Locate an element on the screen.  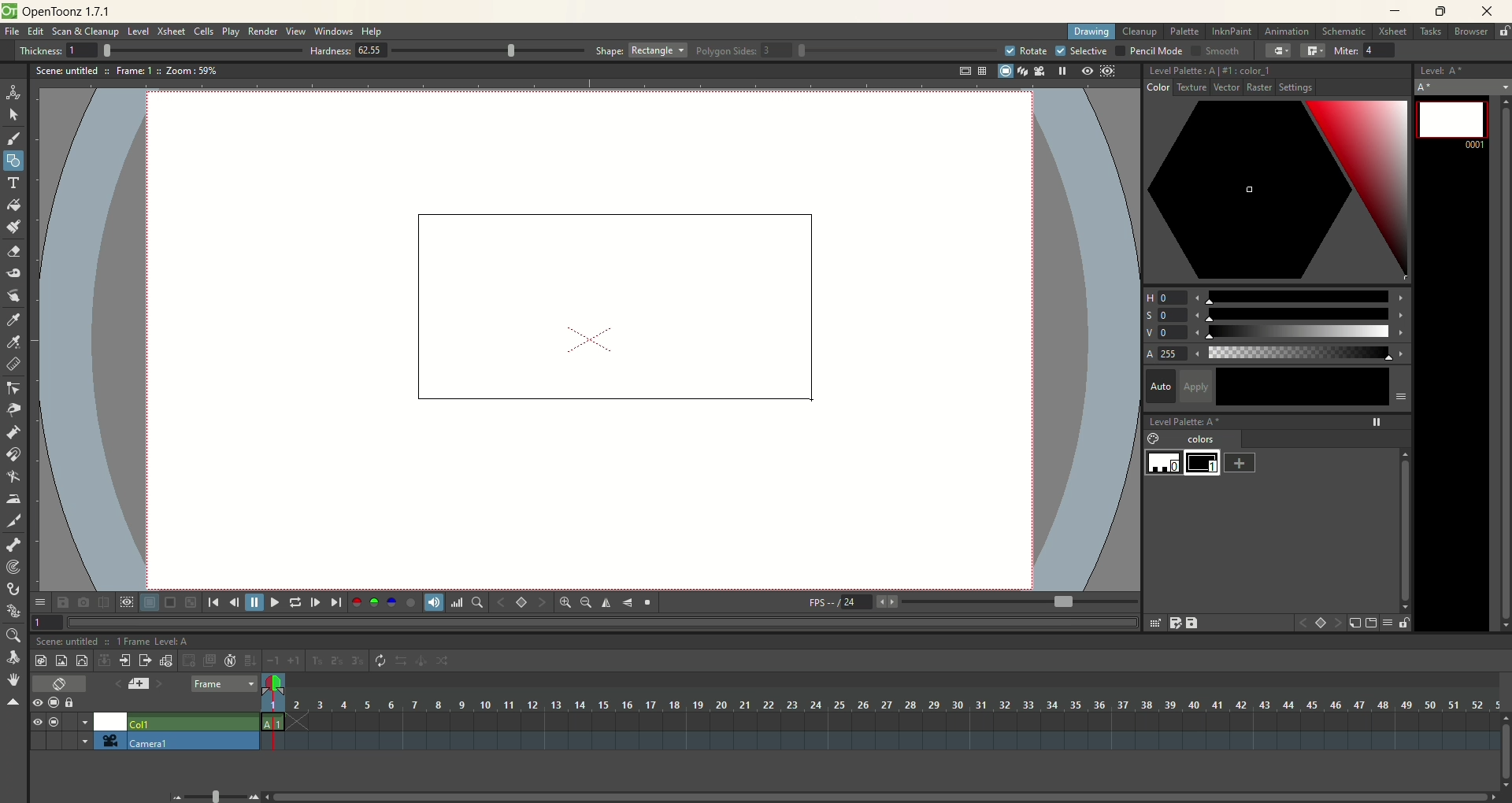
new toonz raster level is located at coordinates (40, 661).